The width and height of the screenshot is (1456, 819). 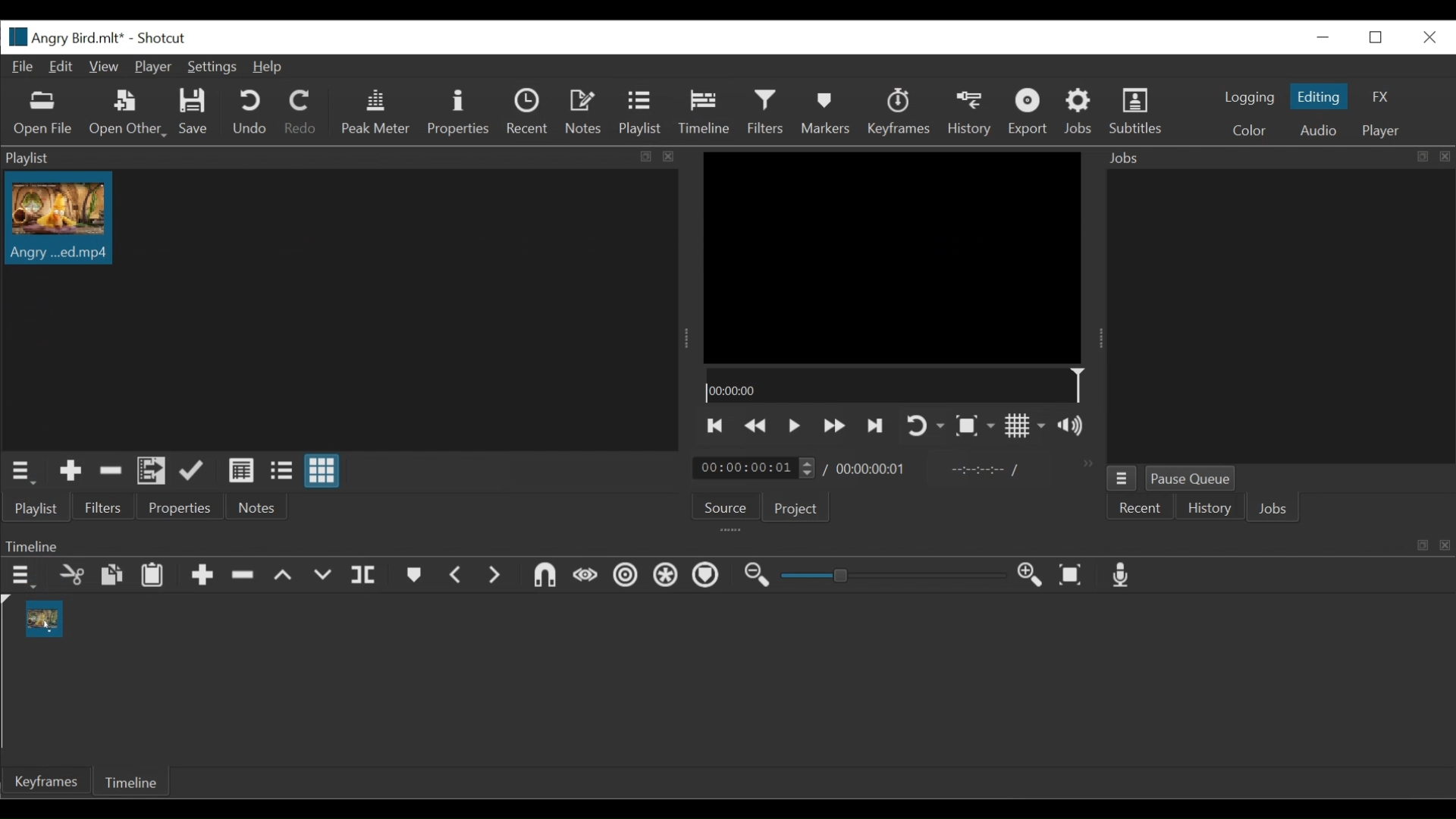 What do you see at coordinates (1073, 575) in the screenshot?
I see `Zoom timeline to fit` at bounding box center [1073, 575].